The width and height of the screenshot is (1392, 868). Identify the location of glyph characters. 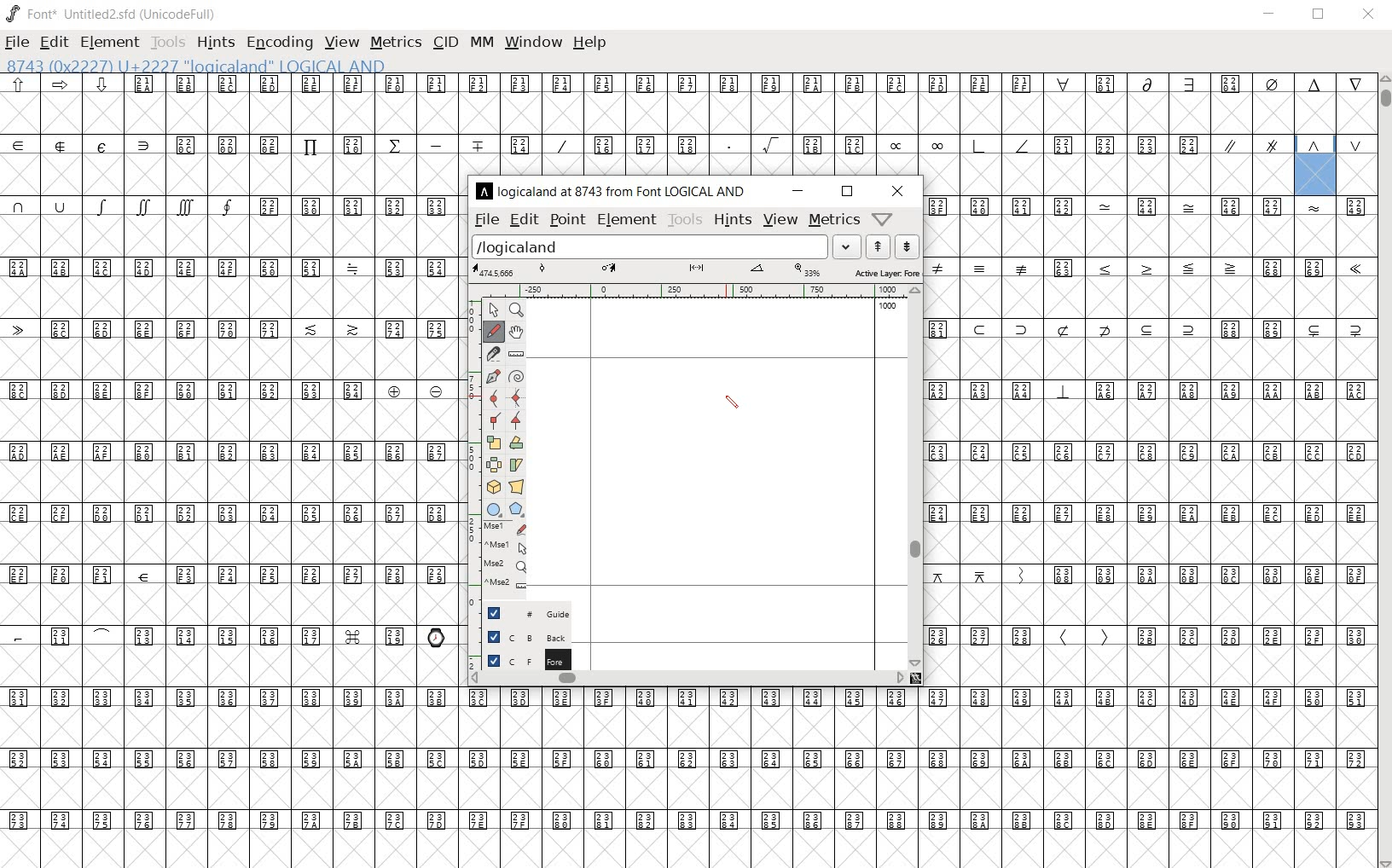
(1150, 440).